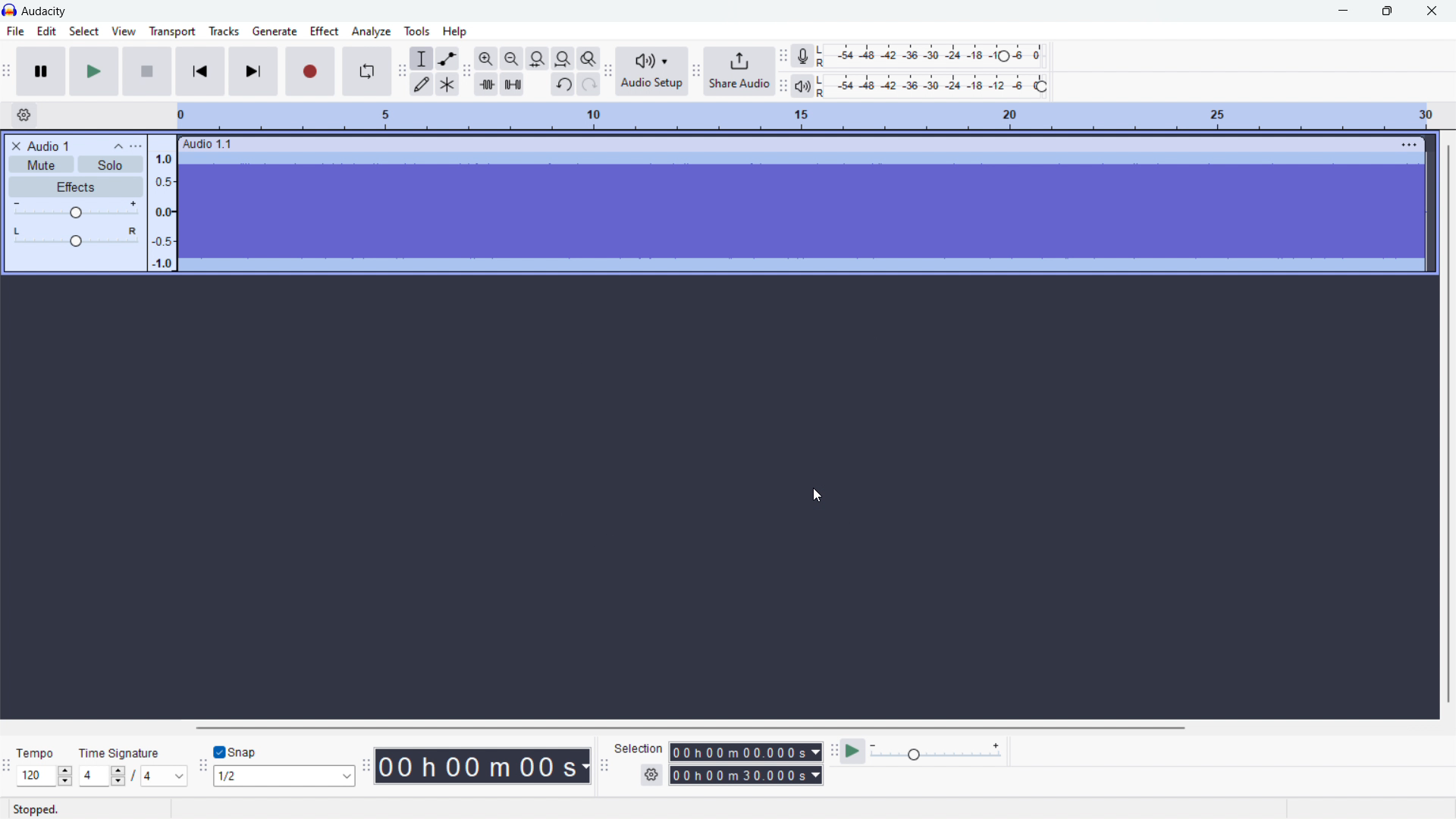 This screenshot has height=819, width=1456. I want to click on settings, so click(651, 776).